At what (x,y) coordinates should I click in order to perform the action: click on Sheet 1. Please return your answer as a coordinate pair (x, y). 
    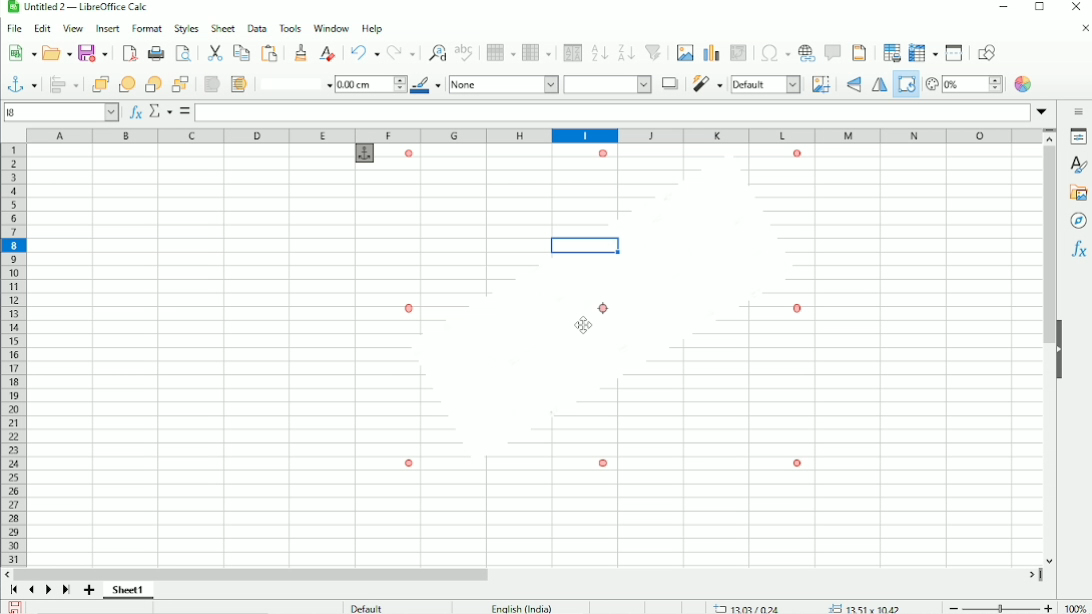
    Looking at the image, I should click on (128, 591).